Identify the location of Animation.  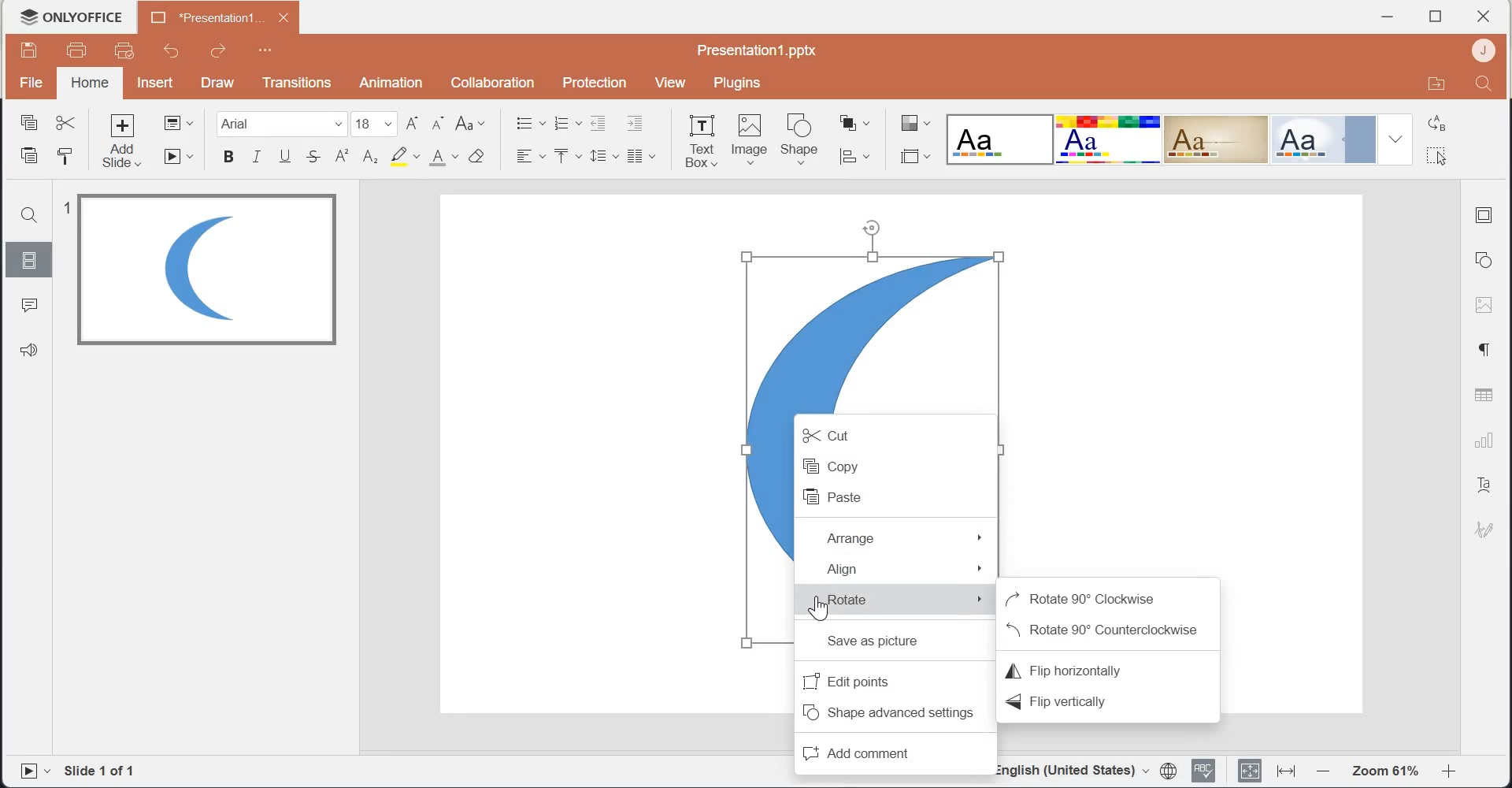
(391, 83).